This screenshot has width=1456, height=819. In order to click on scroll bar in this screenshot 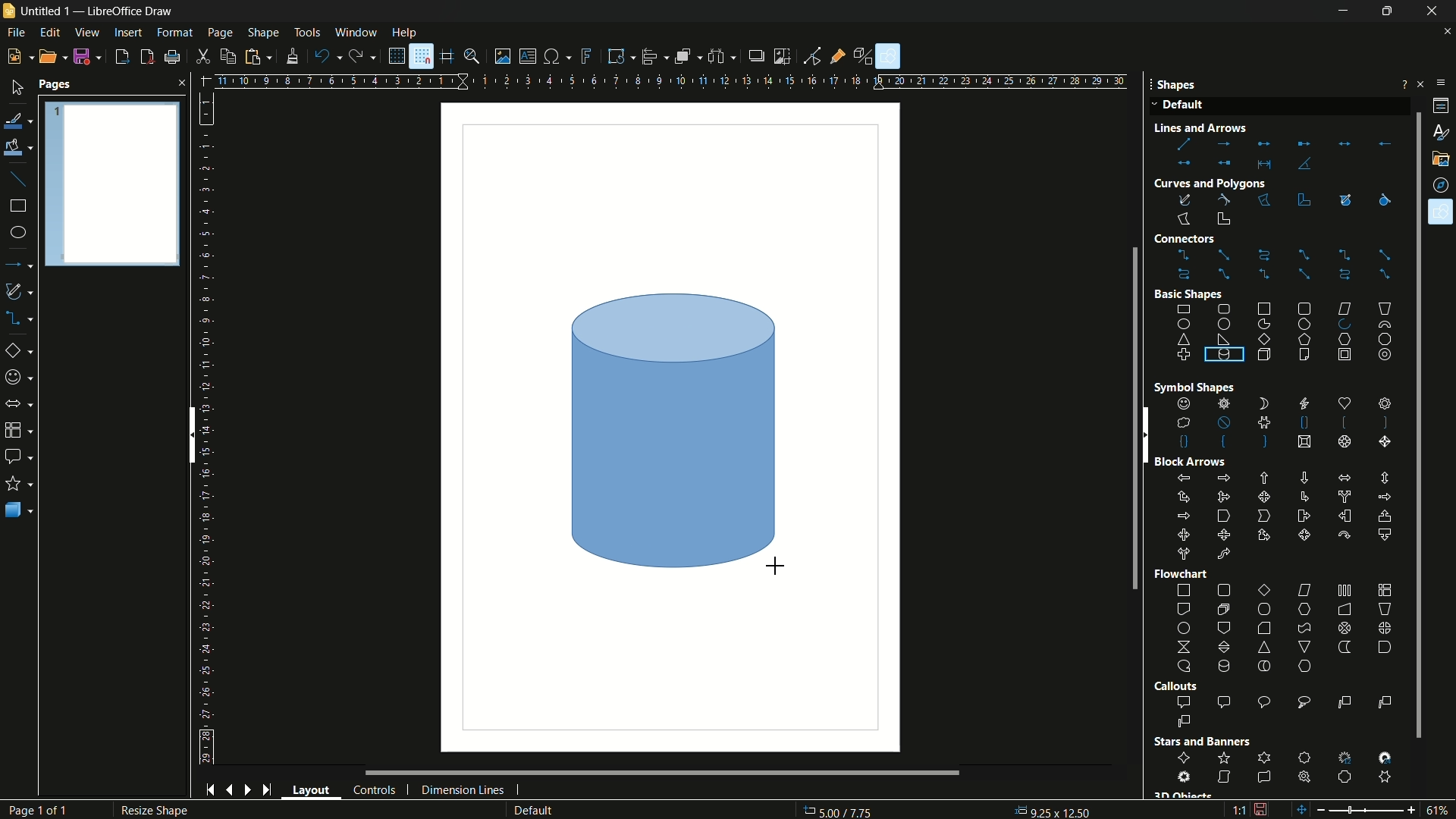, I will do `click(1411, 423)`.